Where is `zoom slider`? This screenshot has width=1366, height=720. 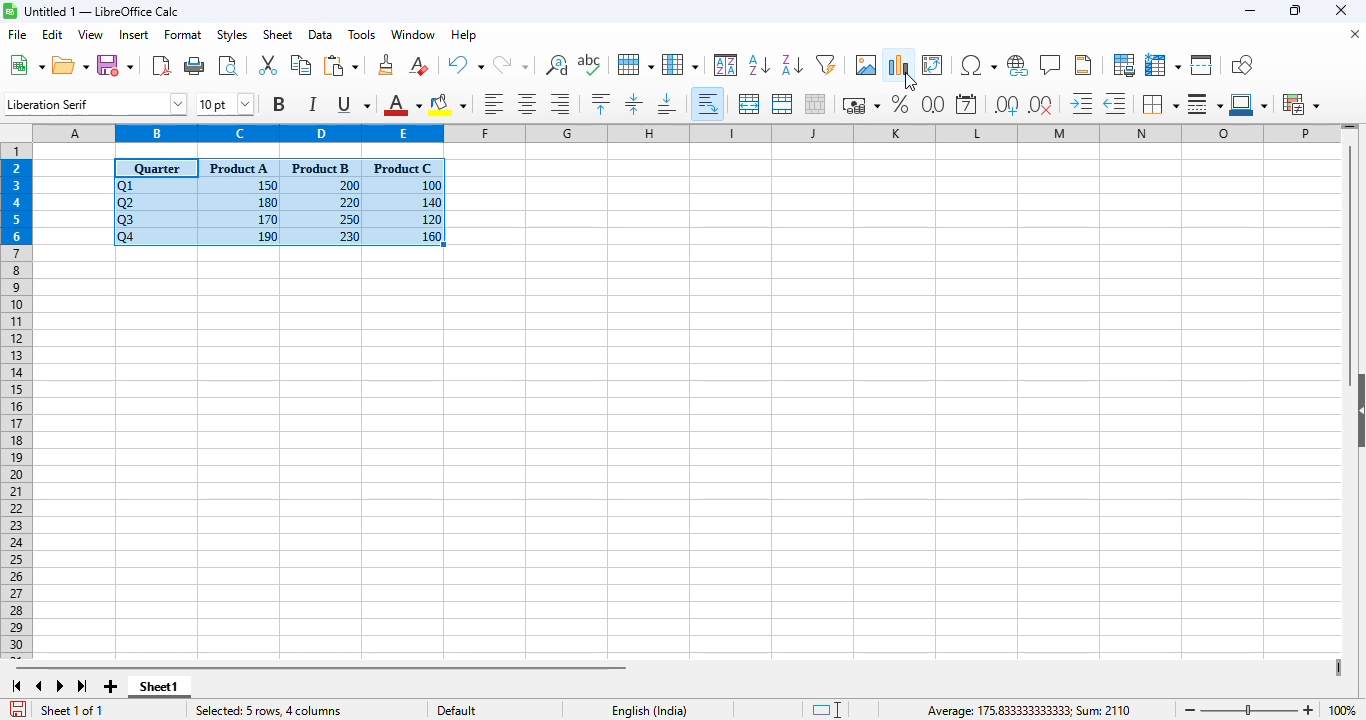
zoom slider is located at coordinates (1251, 711).